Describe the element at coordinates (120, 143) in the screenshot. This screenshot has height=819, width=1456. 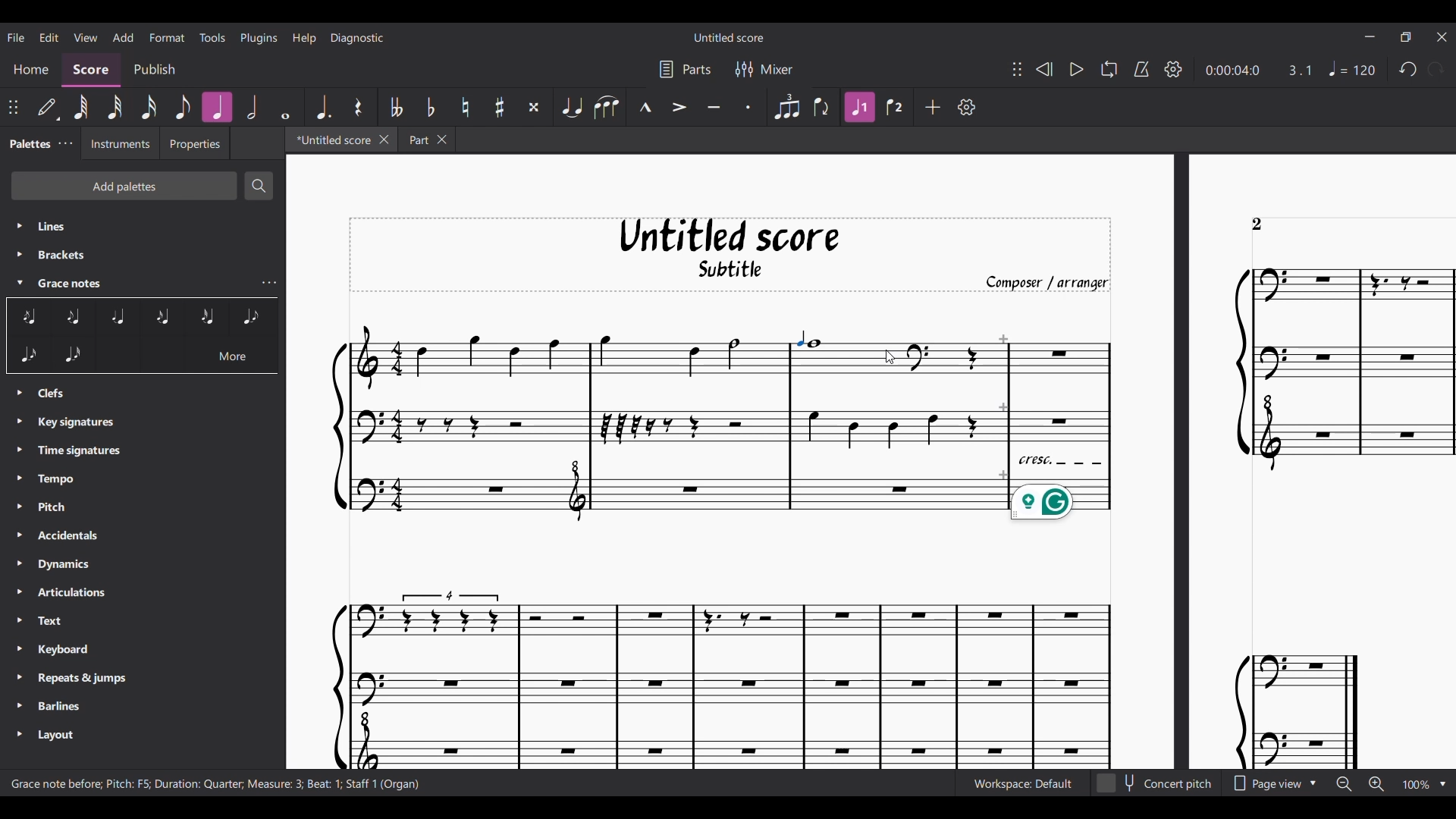
I see `Instruments tab` at that location.